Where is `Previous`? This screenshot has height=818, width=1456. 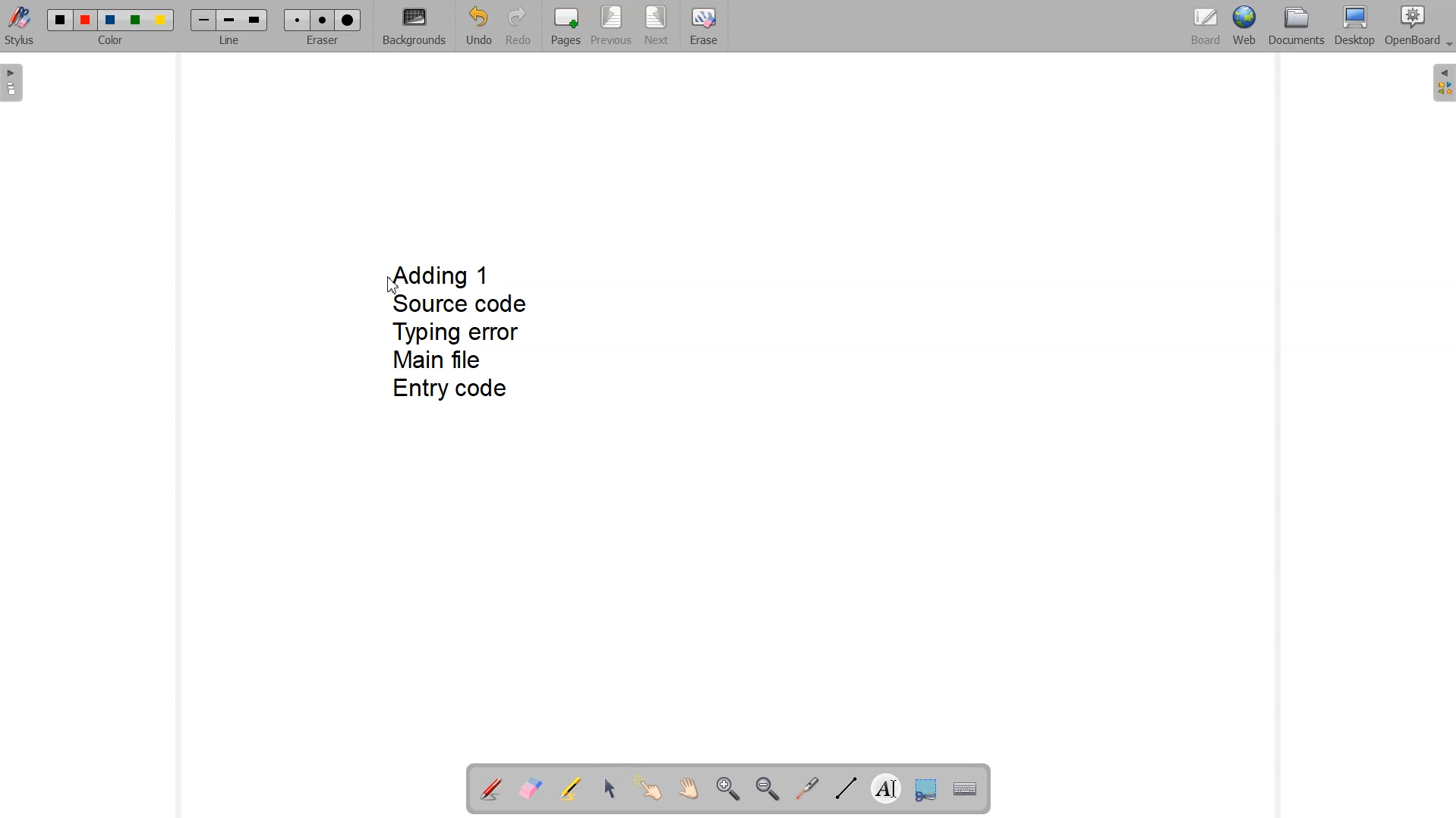 Previous is located at coordinates (611, 27).